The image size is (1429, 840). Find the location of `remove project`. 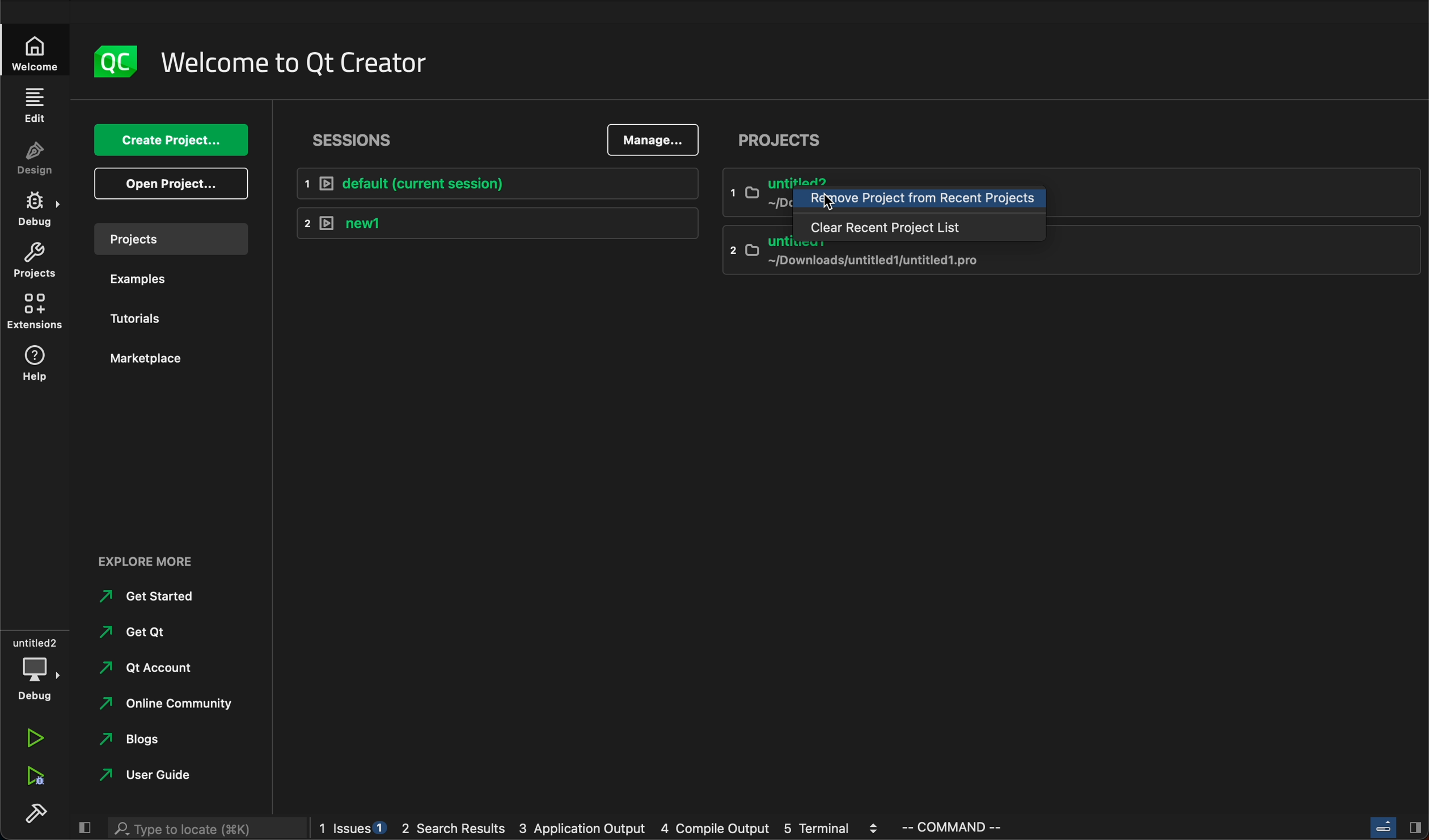

remove project is located at coordinates (920, 201).